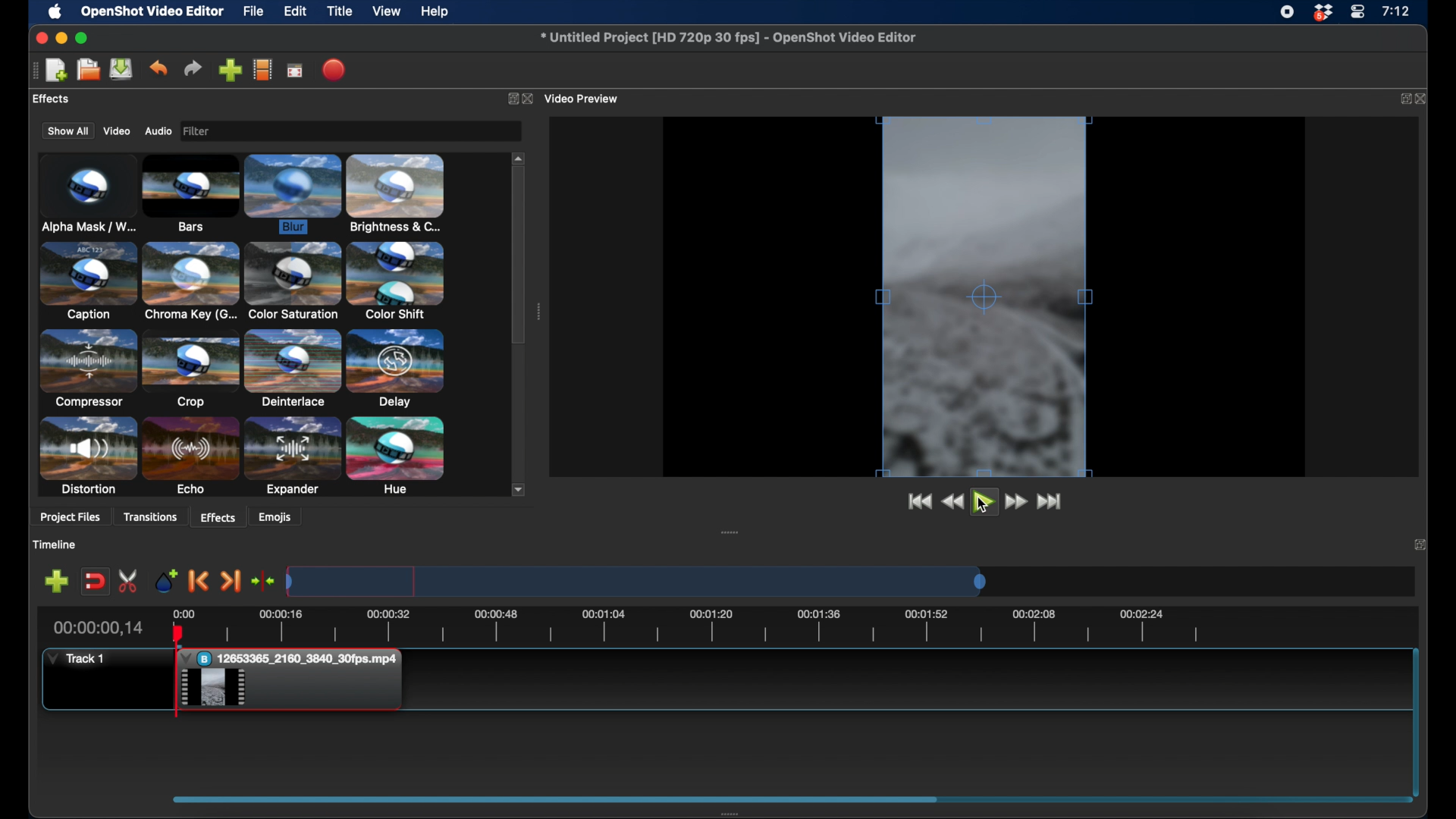 This screenshot has height=819, width=1456. What do you see at coordinates (231, 70) in the screenshot?
I see `import files` at bounding box center [231, 70].